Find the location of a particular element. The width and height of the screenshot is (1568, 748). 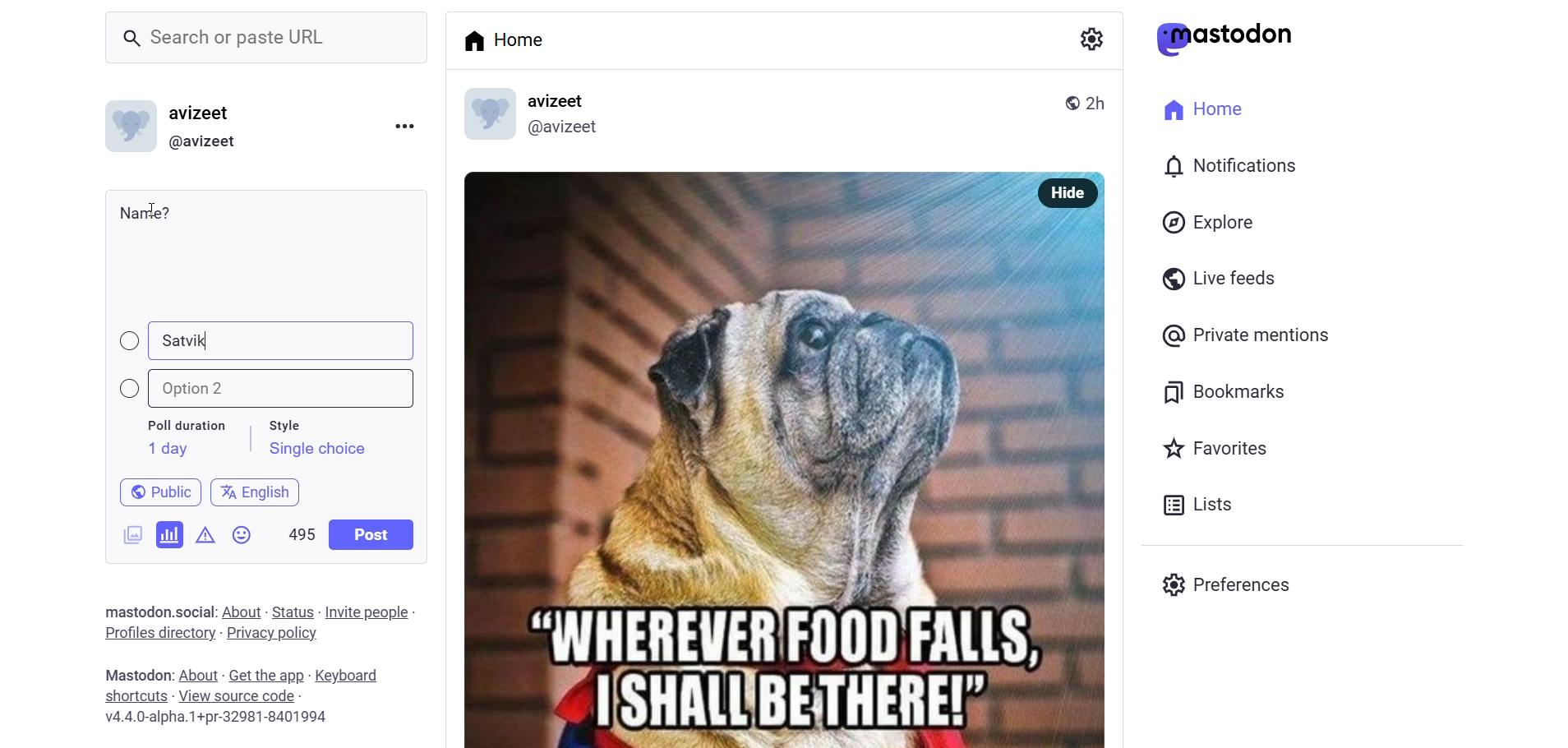

post is located at coordinates (373, 534).